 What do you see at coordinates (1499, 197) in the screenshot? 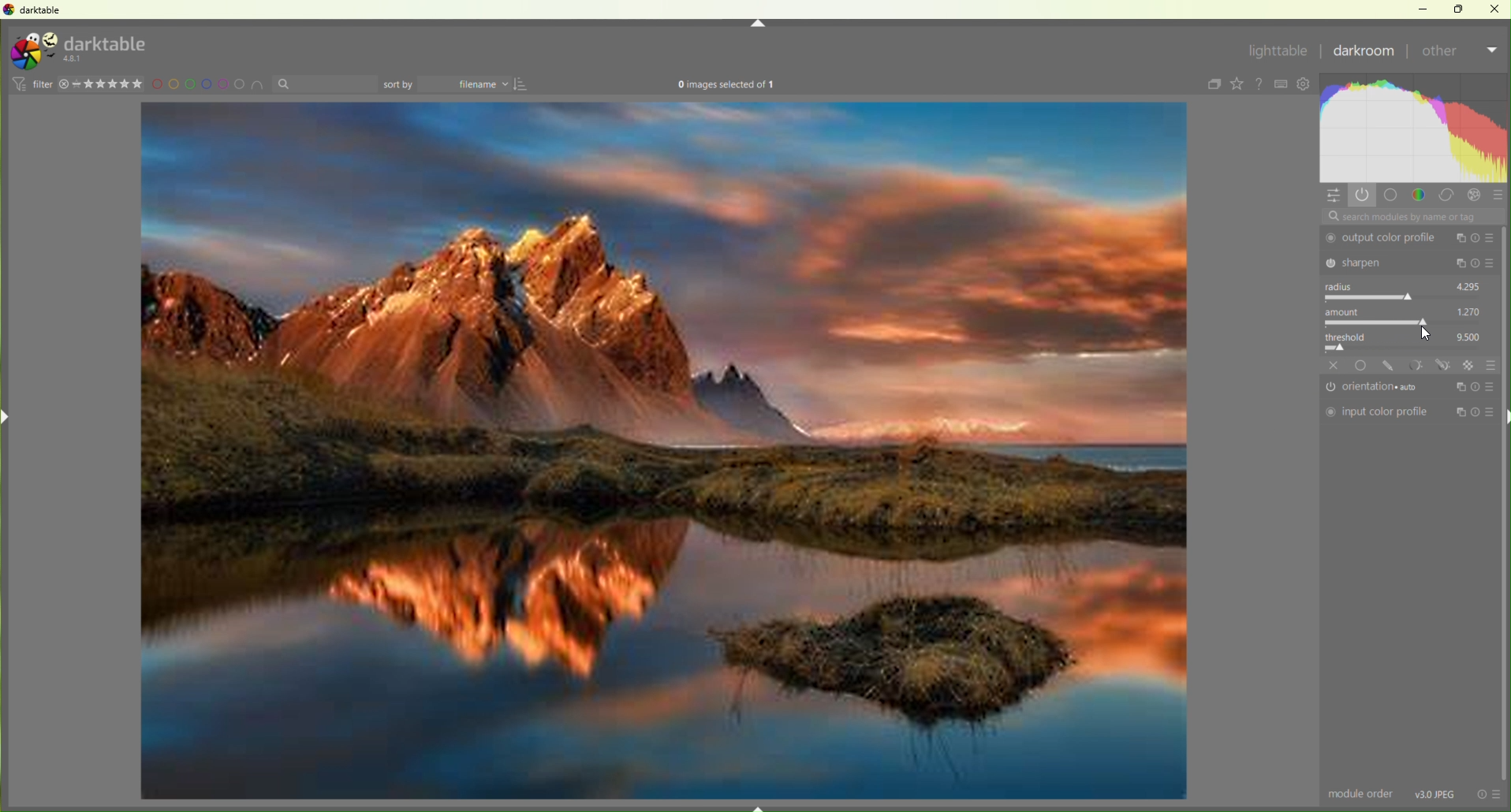
I see `Presets ` at bounding box center [1499, 197].